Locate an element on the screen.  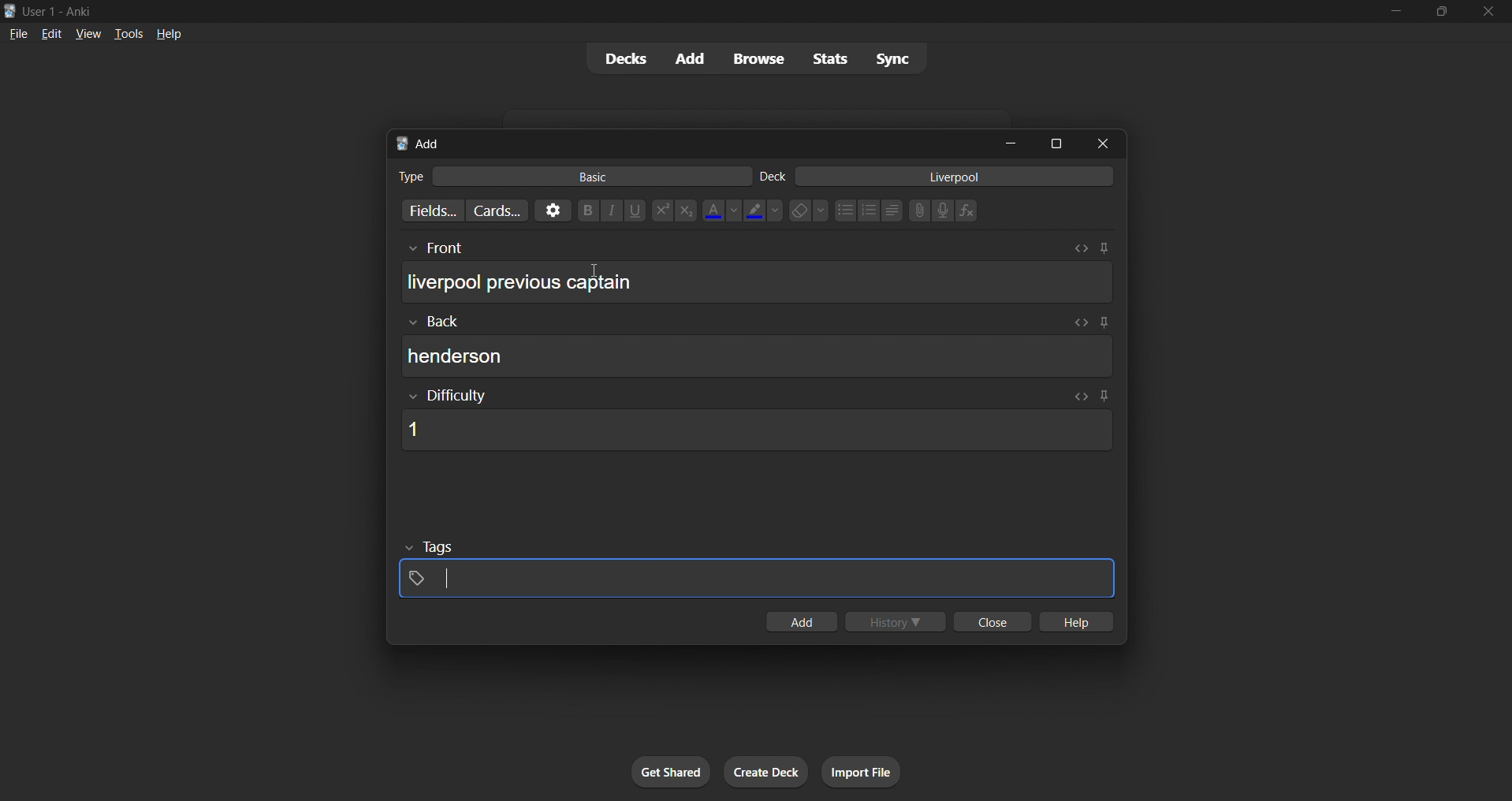
microphone is located at coordinates (944, 211).